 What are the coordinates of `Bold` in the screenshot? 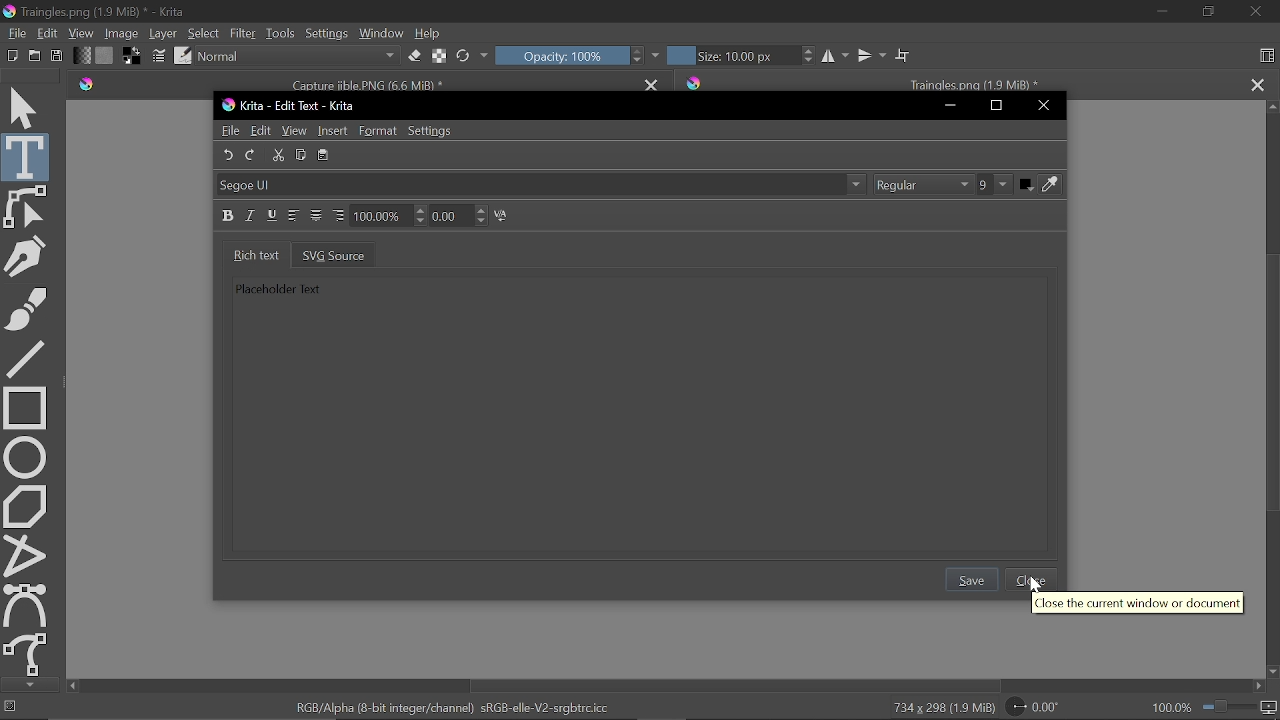 It's located at (229, 216).